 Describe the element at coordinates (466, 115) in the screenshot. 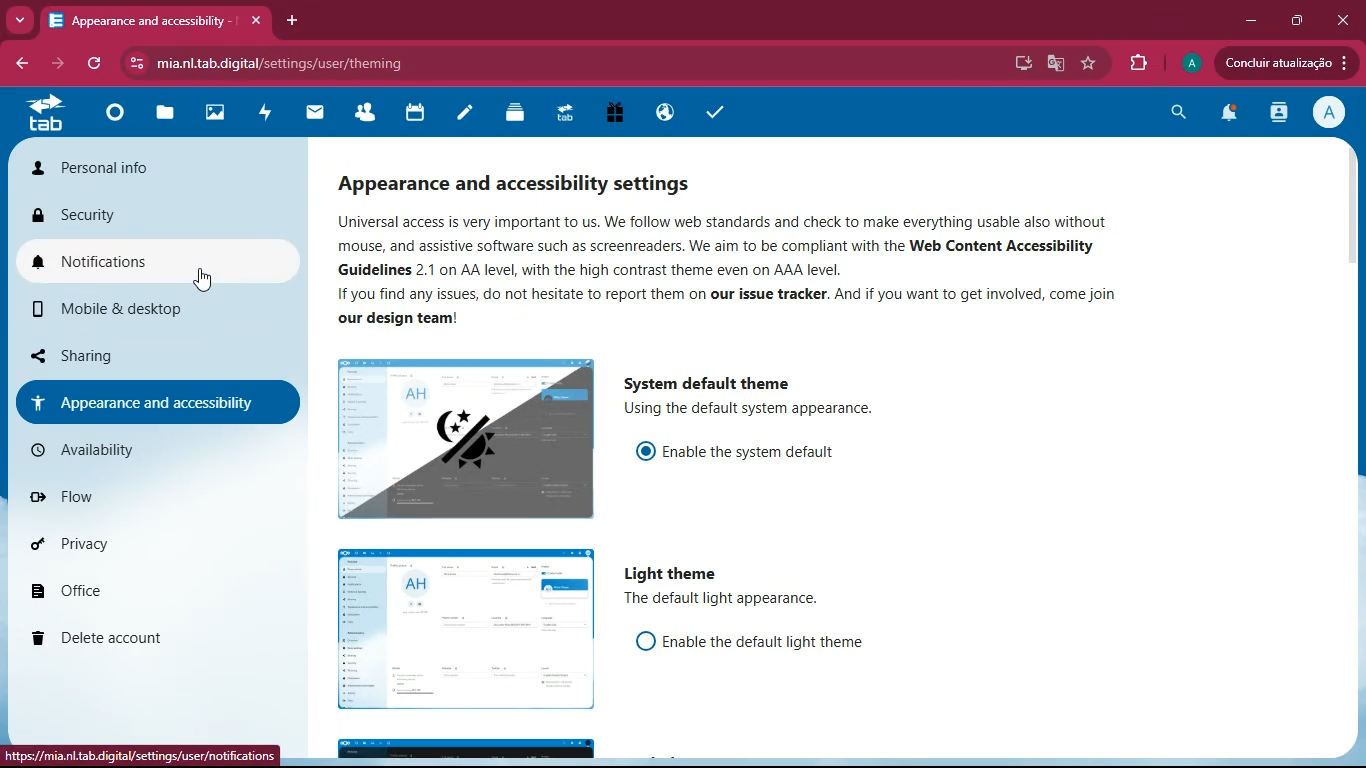

I see `notes` at that location.